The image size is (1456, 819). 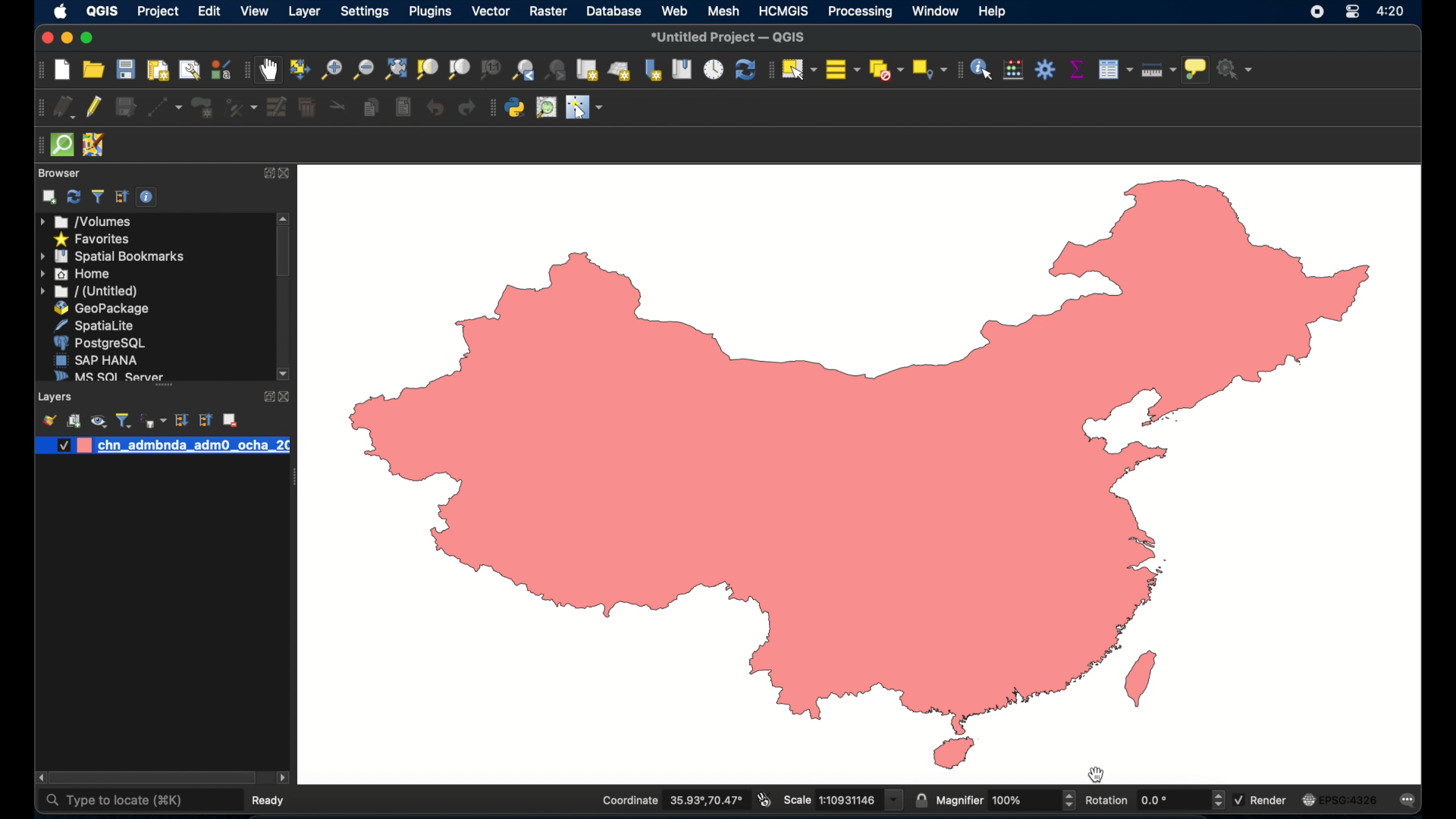 What do you see at coordinates (265, 397) in the screenshot?
I see `expand` at bounding box center [265, 397].